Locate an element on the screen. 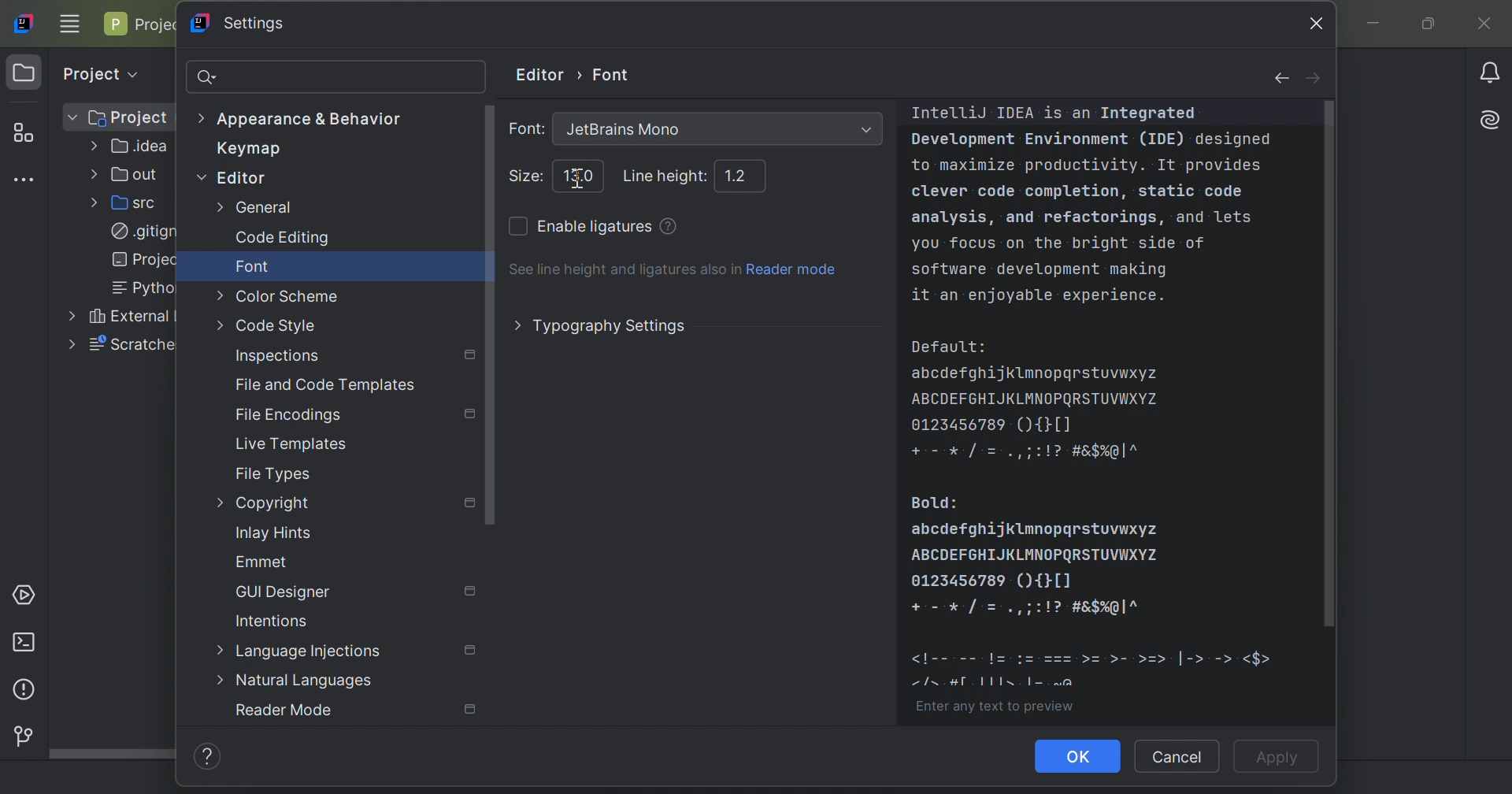  scroll bar  is located at coordinates (1336, 365).